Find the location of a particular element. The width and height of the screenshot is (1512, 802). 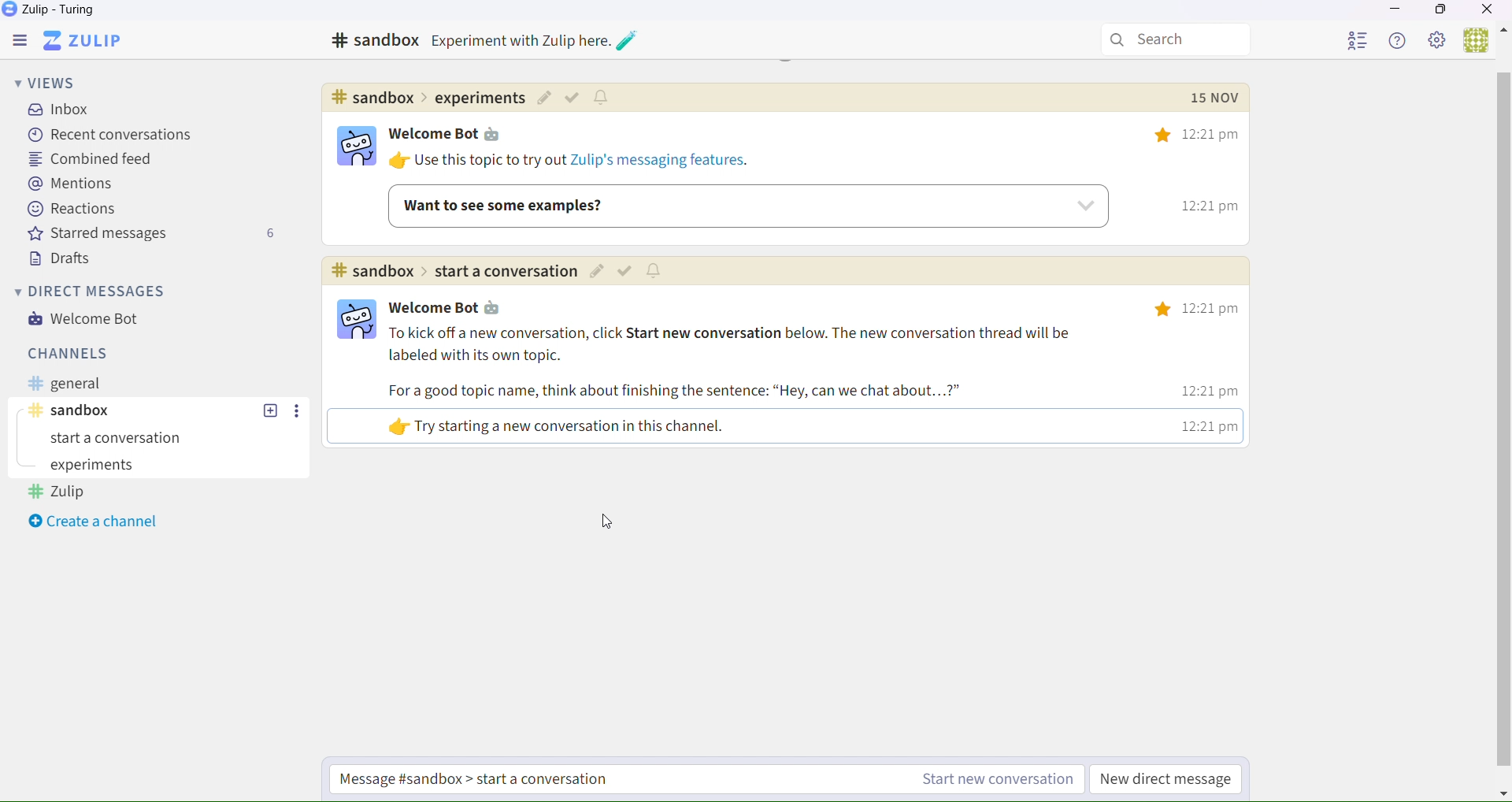

 is located at coordinates (534, 41).